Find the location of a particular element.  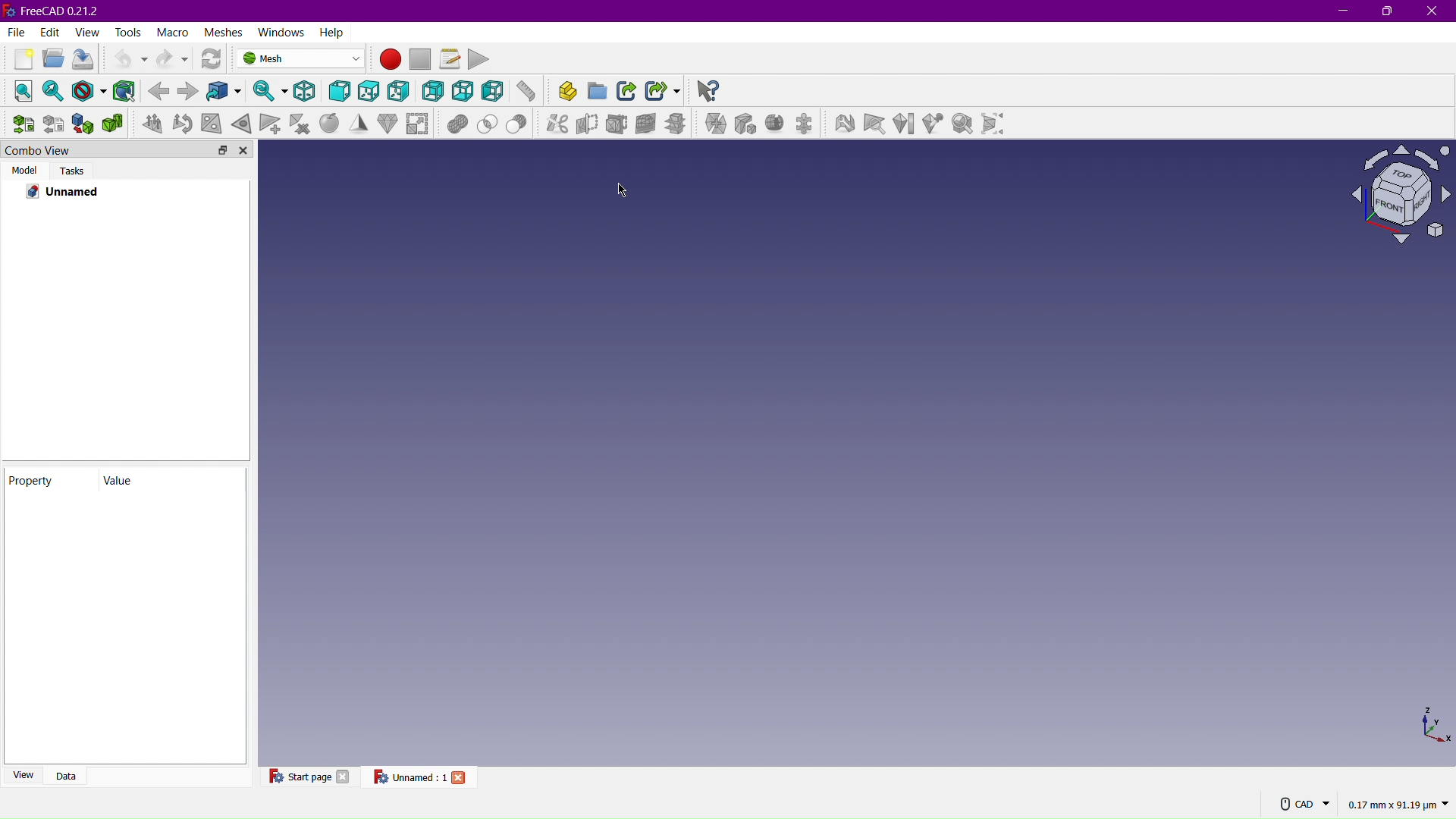

Refinement is located at coordinates (356, 124).